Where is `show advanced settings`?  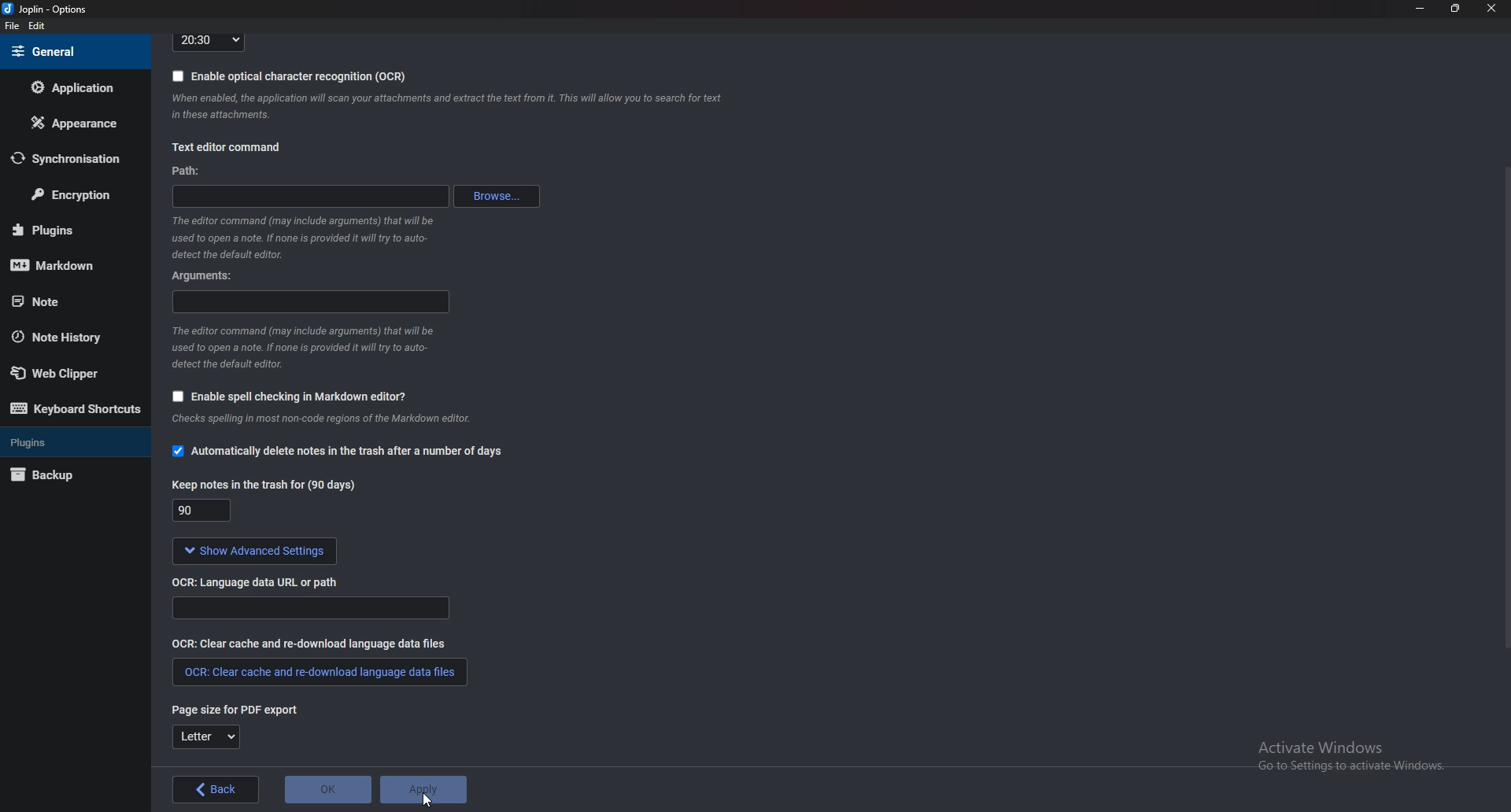 show advanced settings is located at coordinates (251, 552).